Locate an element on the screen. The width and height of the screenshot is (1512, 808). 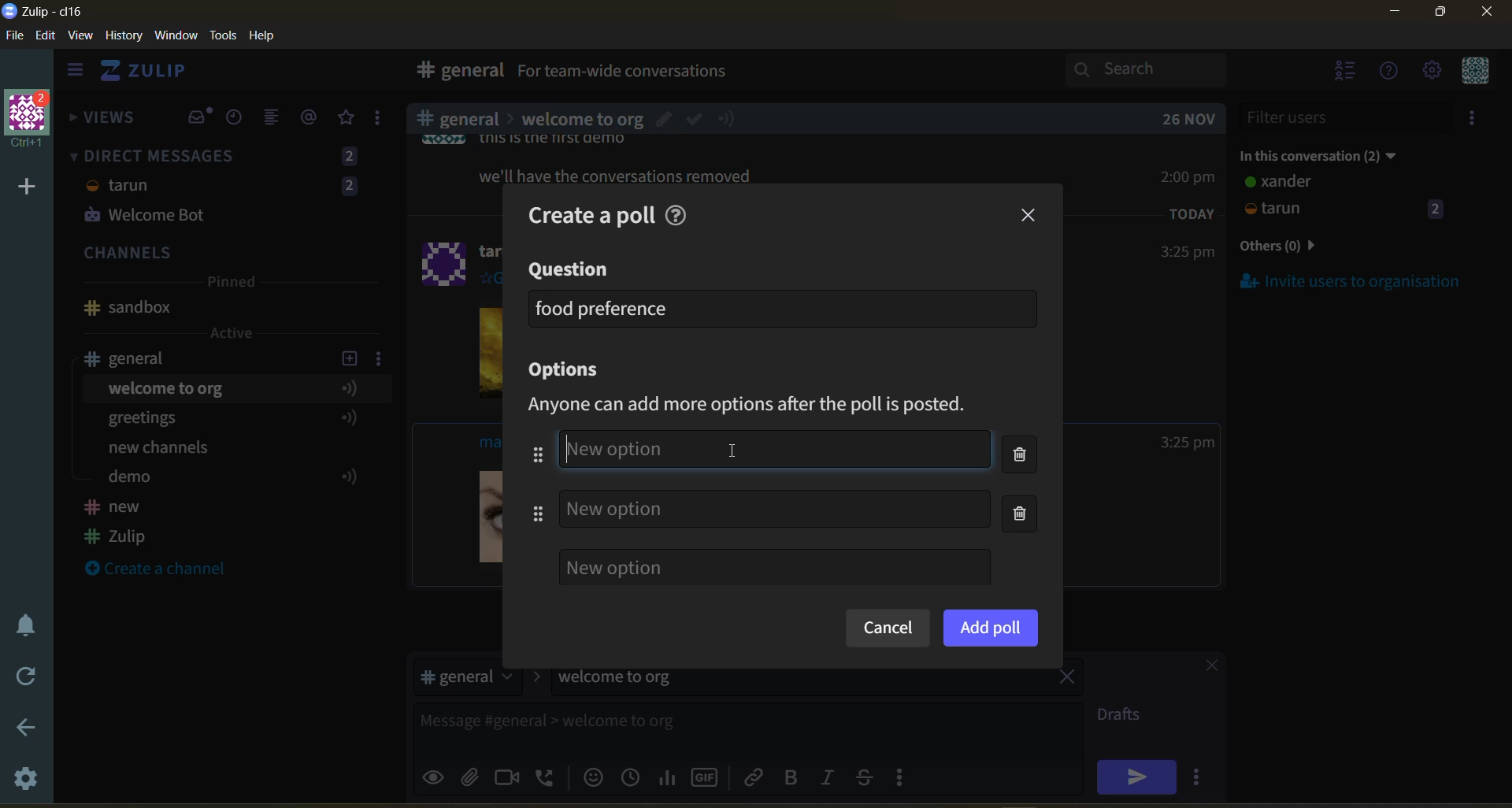
history is located at coordinates (124, 39).